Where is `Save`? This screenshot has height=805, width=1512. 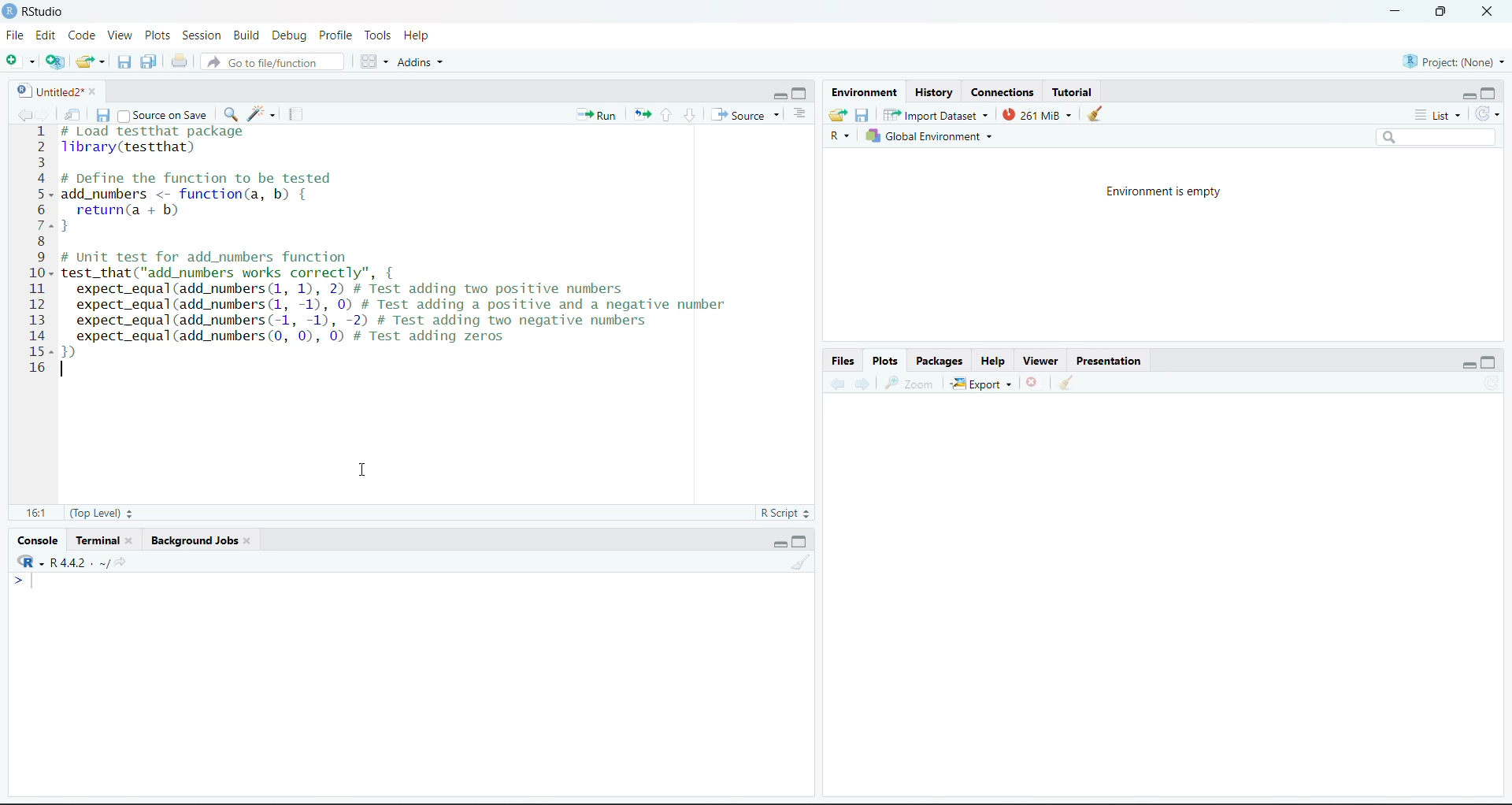
Save is located at coordinates (102, 116).